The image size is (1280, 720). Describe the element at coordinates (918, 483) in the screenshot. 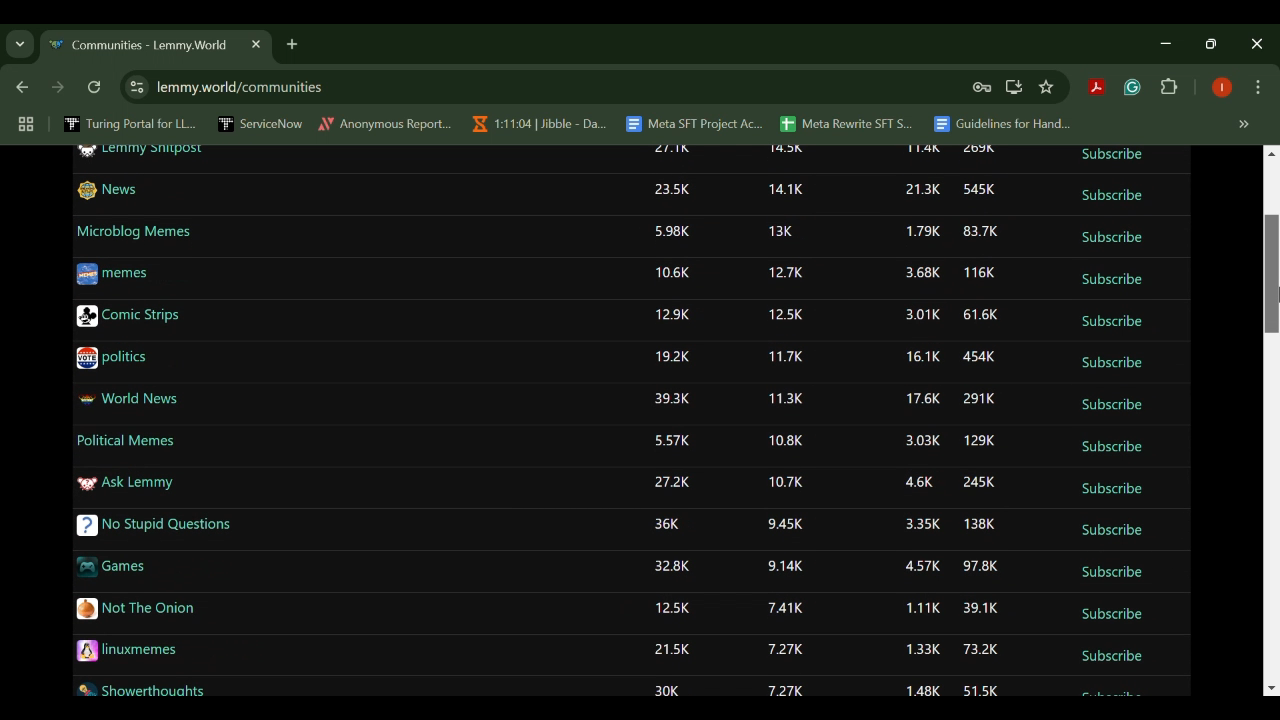

I see `4.6K` at that location.